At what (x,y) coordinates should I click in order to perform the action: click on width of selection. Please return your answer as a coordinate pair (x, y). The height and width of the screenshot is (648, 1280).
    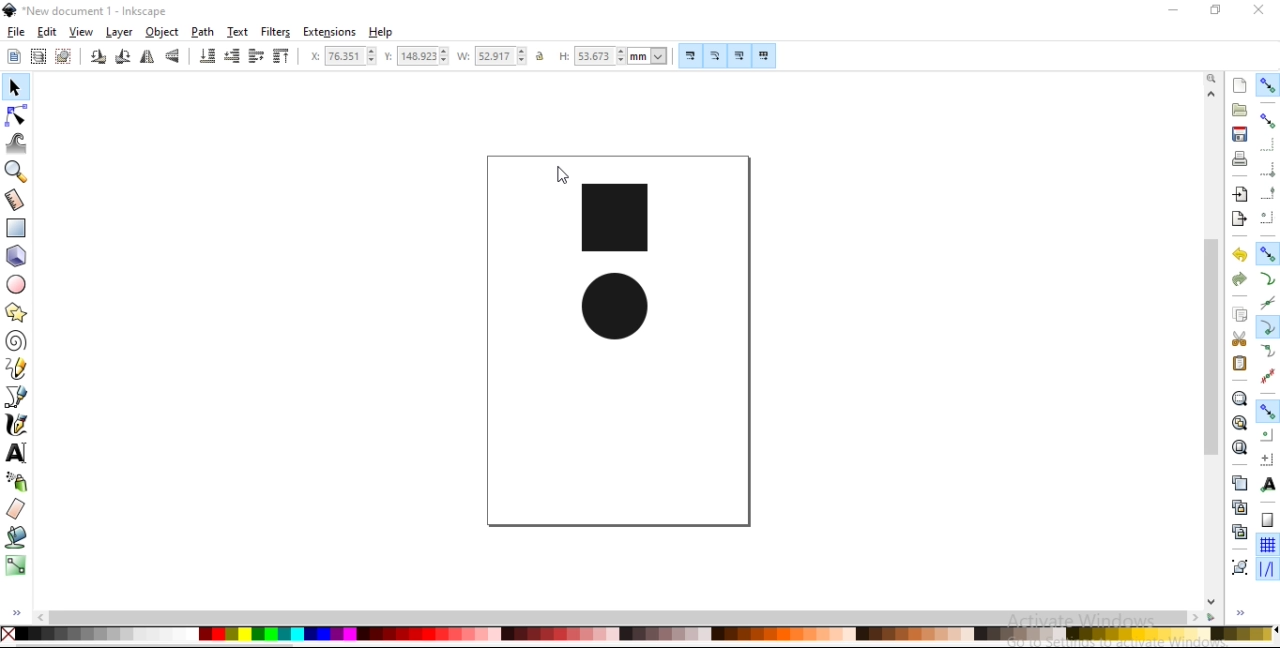
    Looking at the image, I should click on (494, 56).